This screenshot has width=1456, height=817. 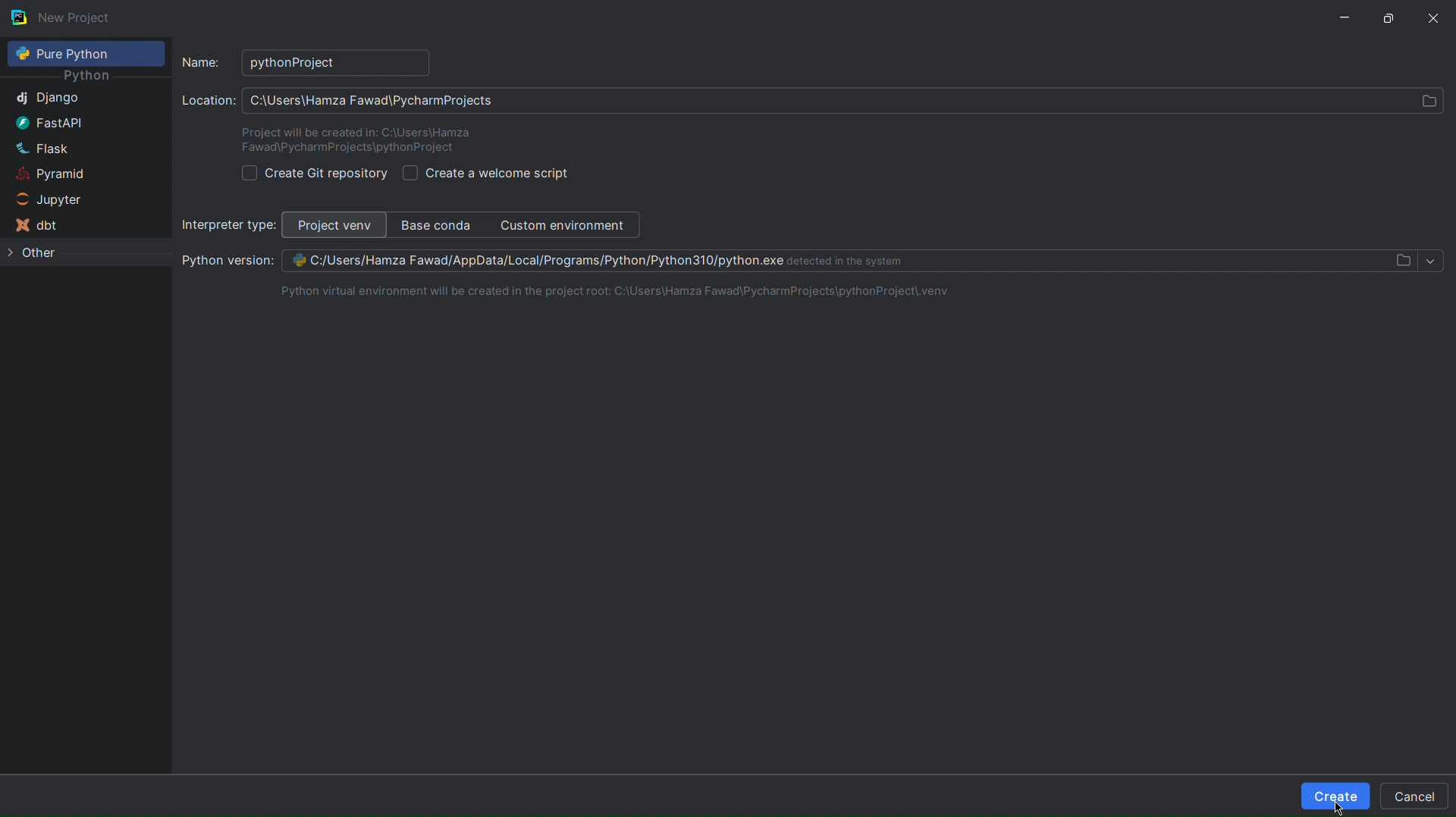 What do you see at coordinates (89, 75) in the screenshot?
I see `python` at bounding box center [89, 75].